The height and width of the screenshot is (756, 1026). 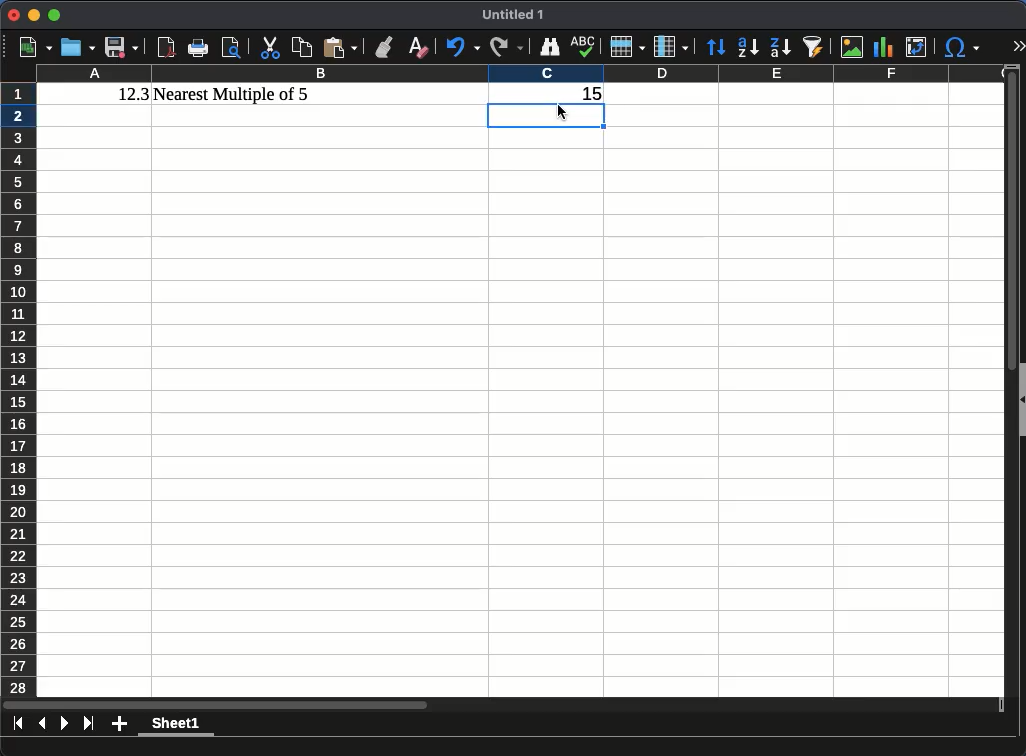 What do you see at coordinates (417, 48) in the screenshot?
I see `clear formatting` at bounding box center [417, 48].